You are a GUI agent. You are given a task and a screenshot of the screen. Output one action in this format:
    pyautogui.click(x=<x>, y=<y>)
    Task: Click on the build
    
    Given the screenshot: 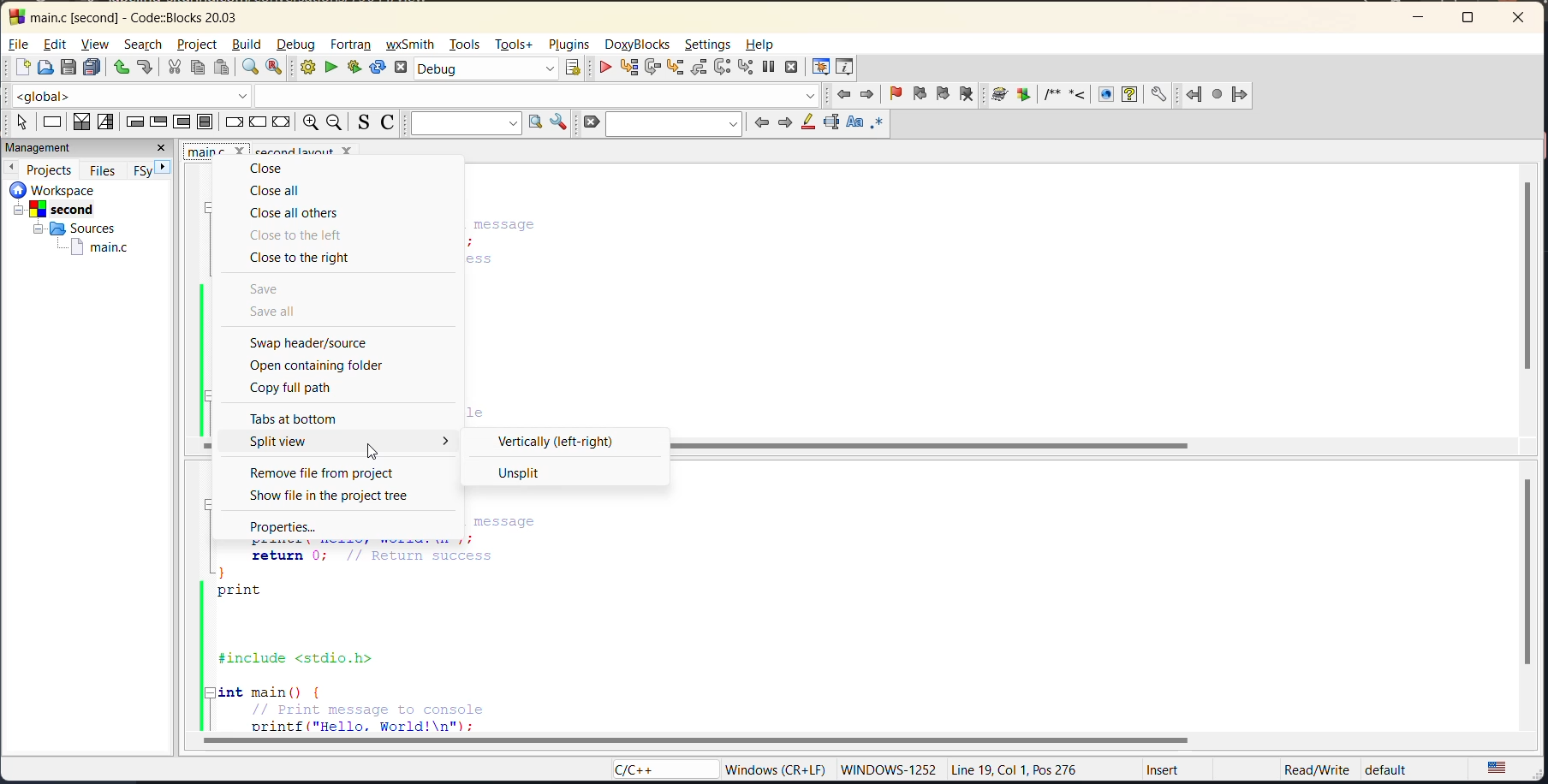 What is the action you would take?
    pyautogui.click(x=310, y=68)
    